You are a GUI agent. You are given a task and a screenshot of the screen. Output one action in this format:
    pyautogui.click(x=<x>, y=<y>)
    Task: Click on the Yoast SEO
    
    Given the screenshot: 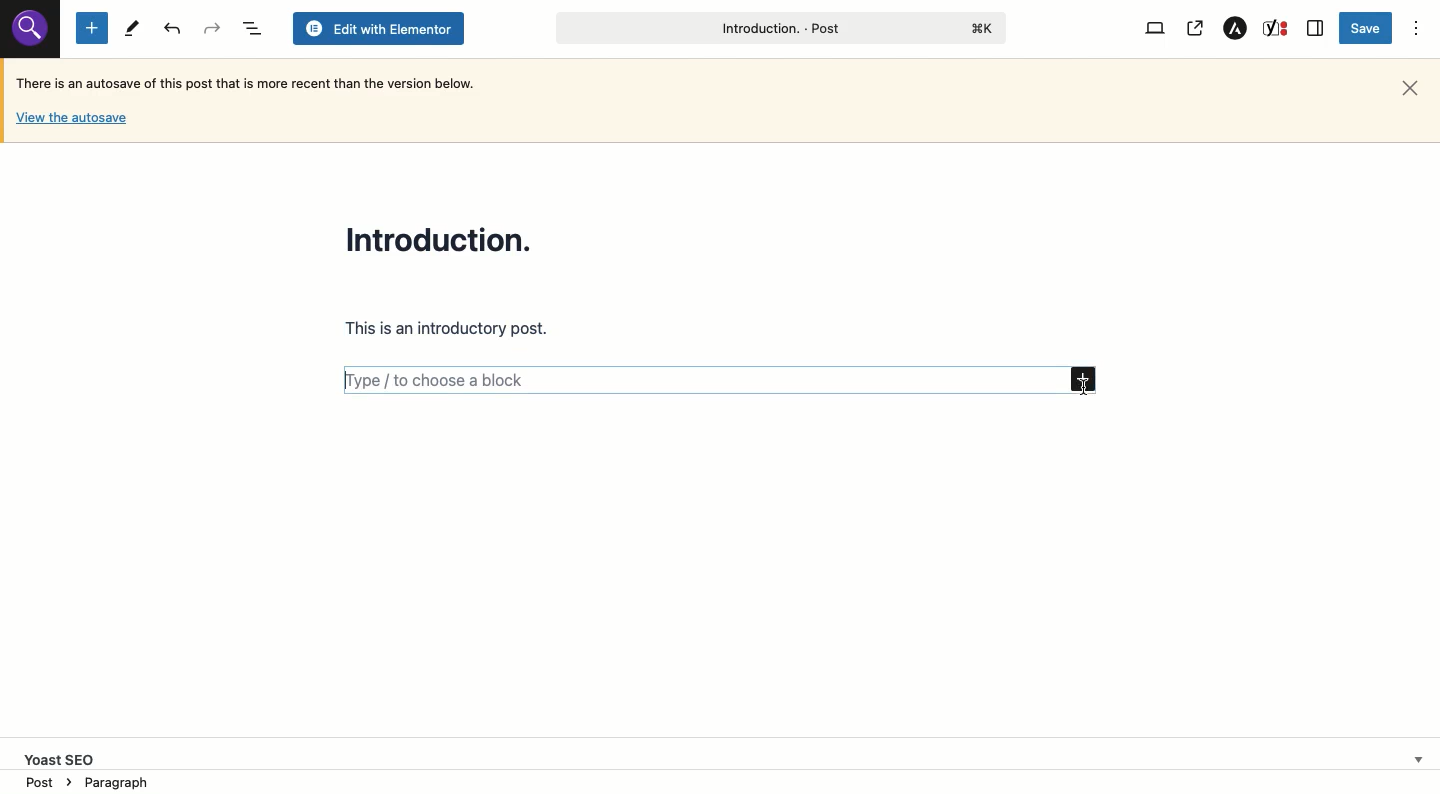 What is the action you would take?
    pyautogui.click(x=727, y=755)
    